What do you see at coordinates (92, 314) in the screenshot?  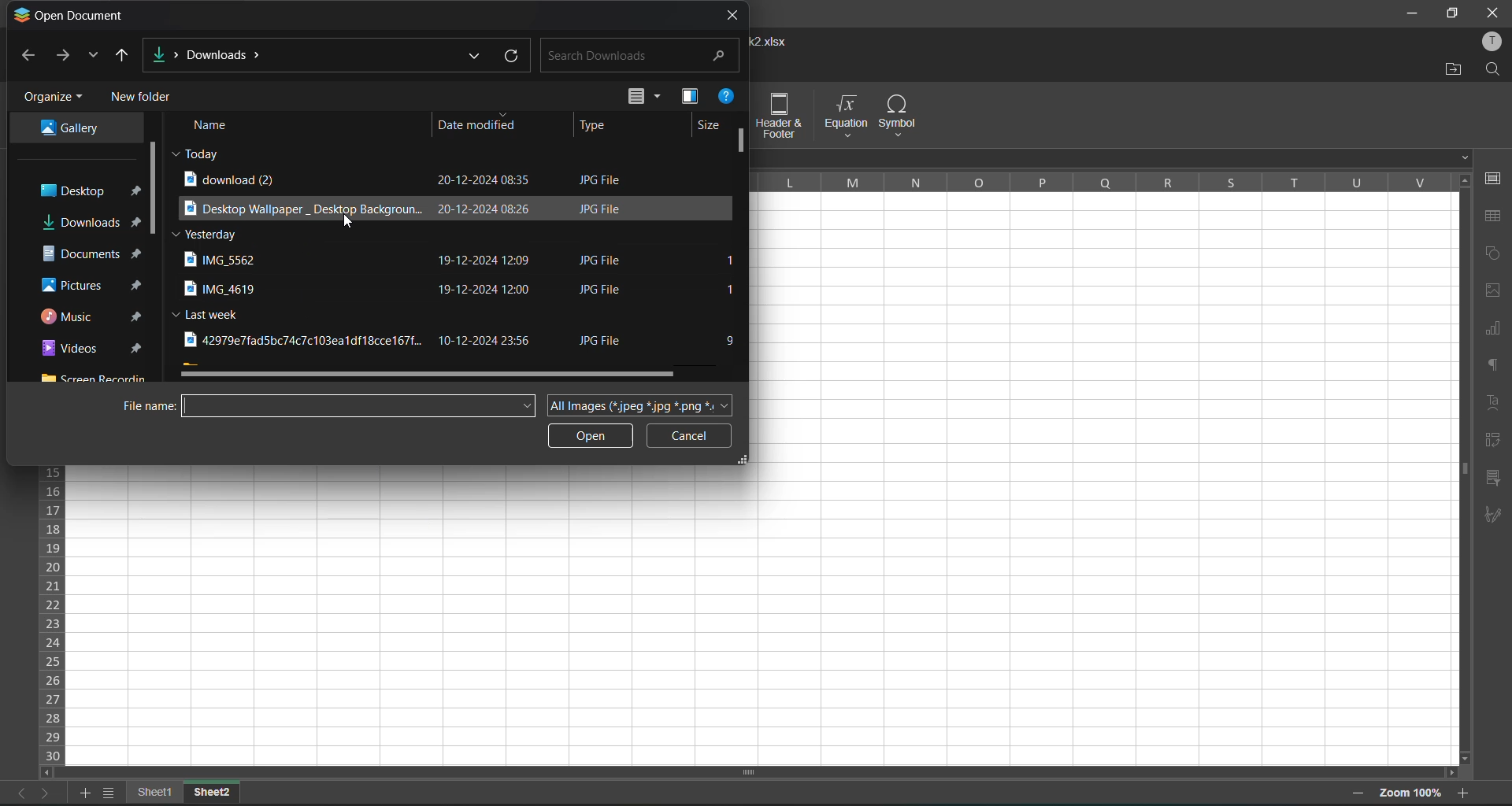 I see `music` at bounding box center [92, 314].